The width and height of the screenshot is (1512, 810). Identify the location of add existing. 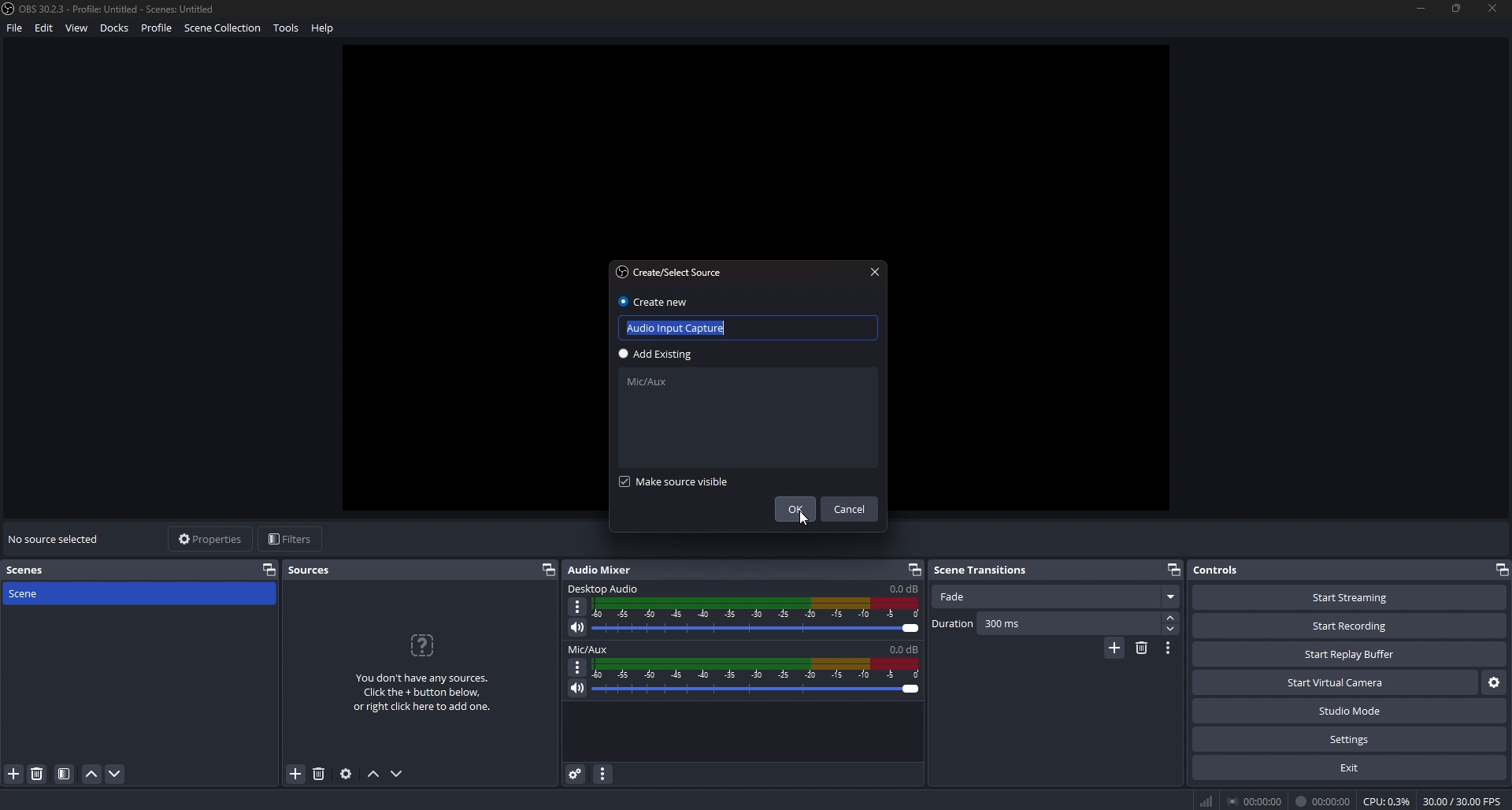
(658, 355).